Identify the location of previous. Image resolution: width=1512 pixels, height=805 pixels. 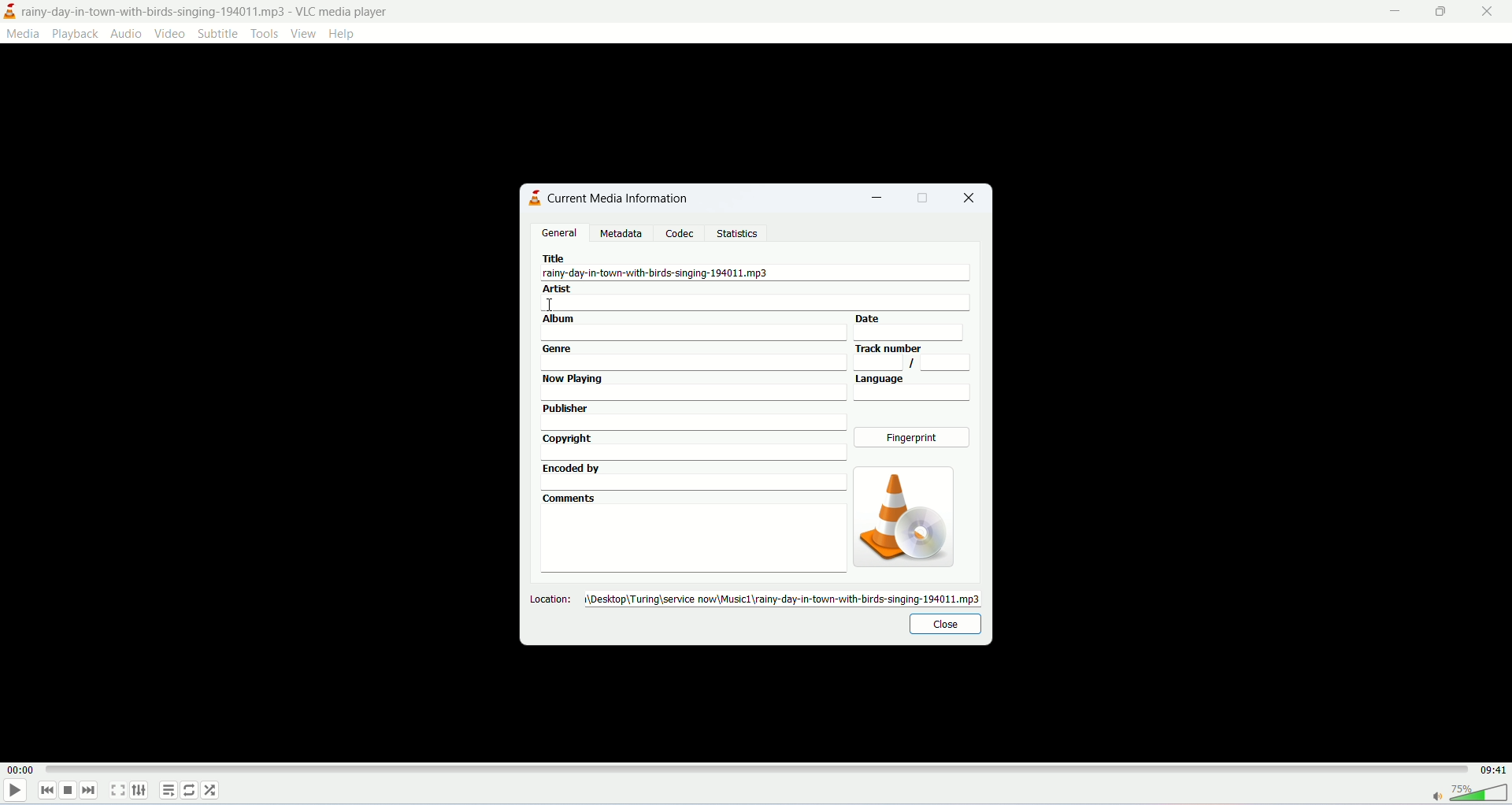
(45, 790).